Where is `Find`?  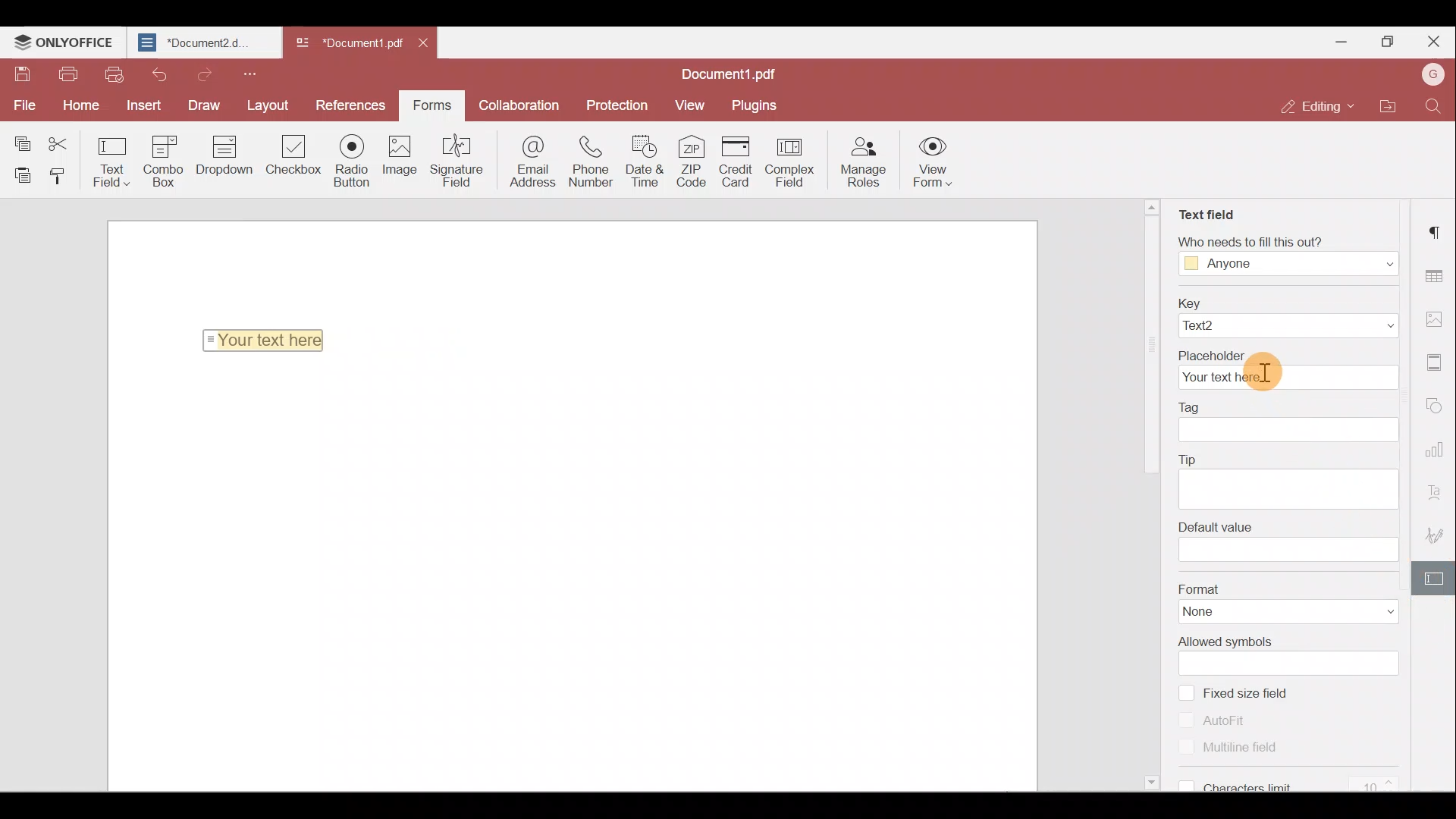 Find is located at coordinates (1432, 108).